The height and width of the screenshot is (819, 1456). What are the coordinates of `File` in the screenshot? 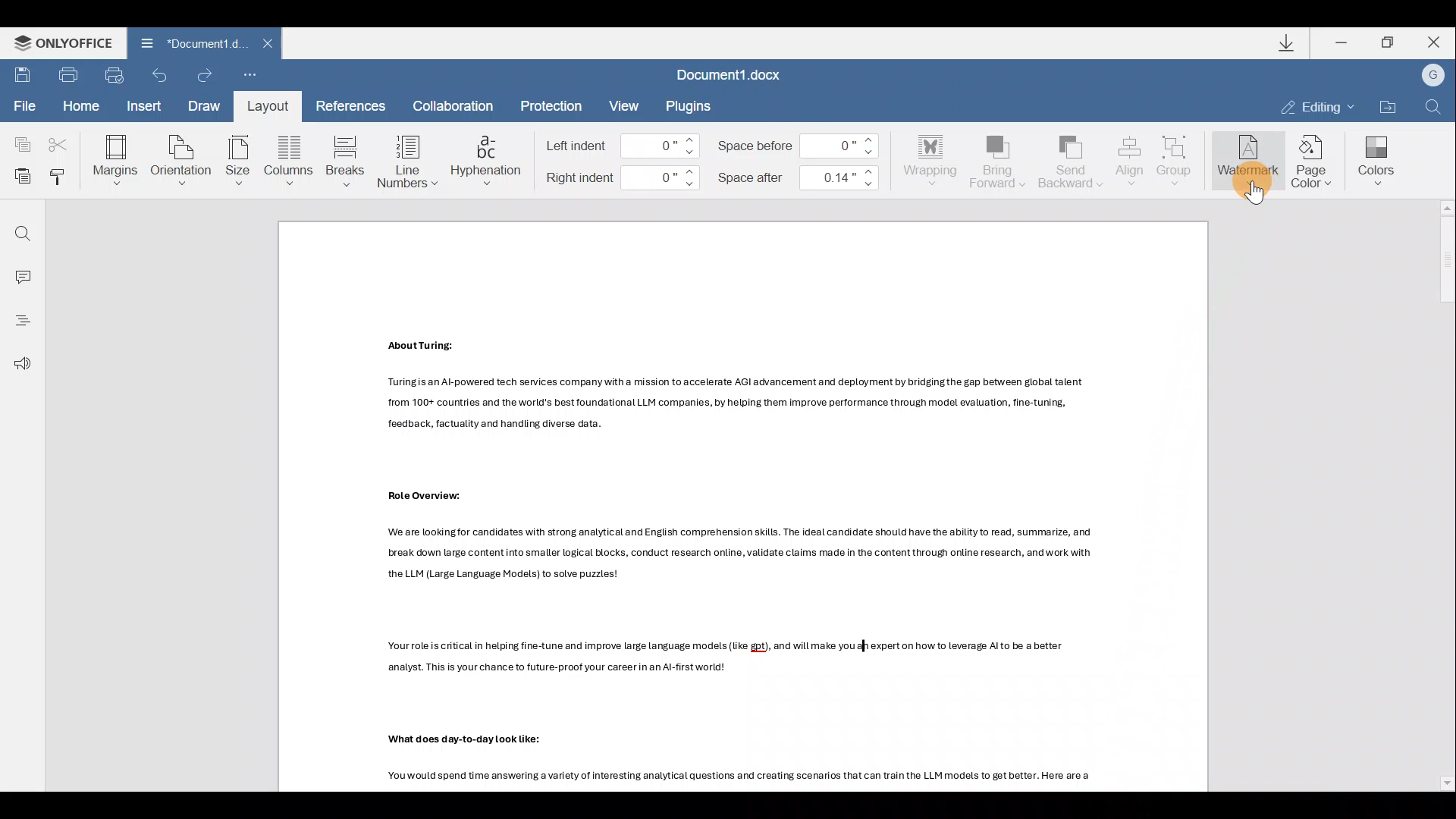 It's located at (21, 106).